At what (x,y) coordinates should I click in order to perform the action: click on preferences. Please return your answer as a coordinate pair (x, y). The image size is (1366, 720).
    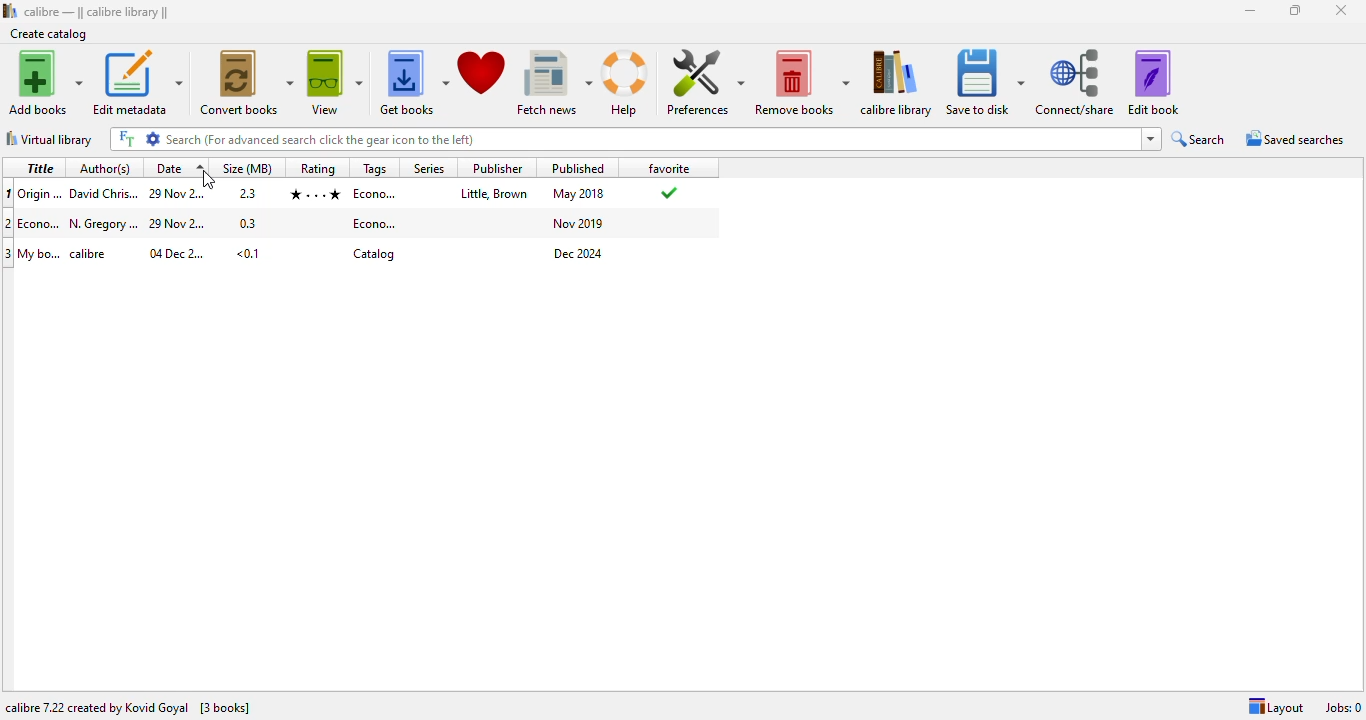
    Looking at the image, I should click on (705, 82).